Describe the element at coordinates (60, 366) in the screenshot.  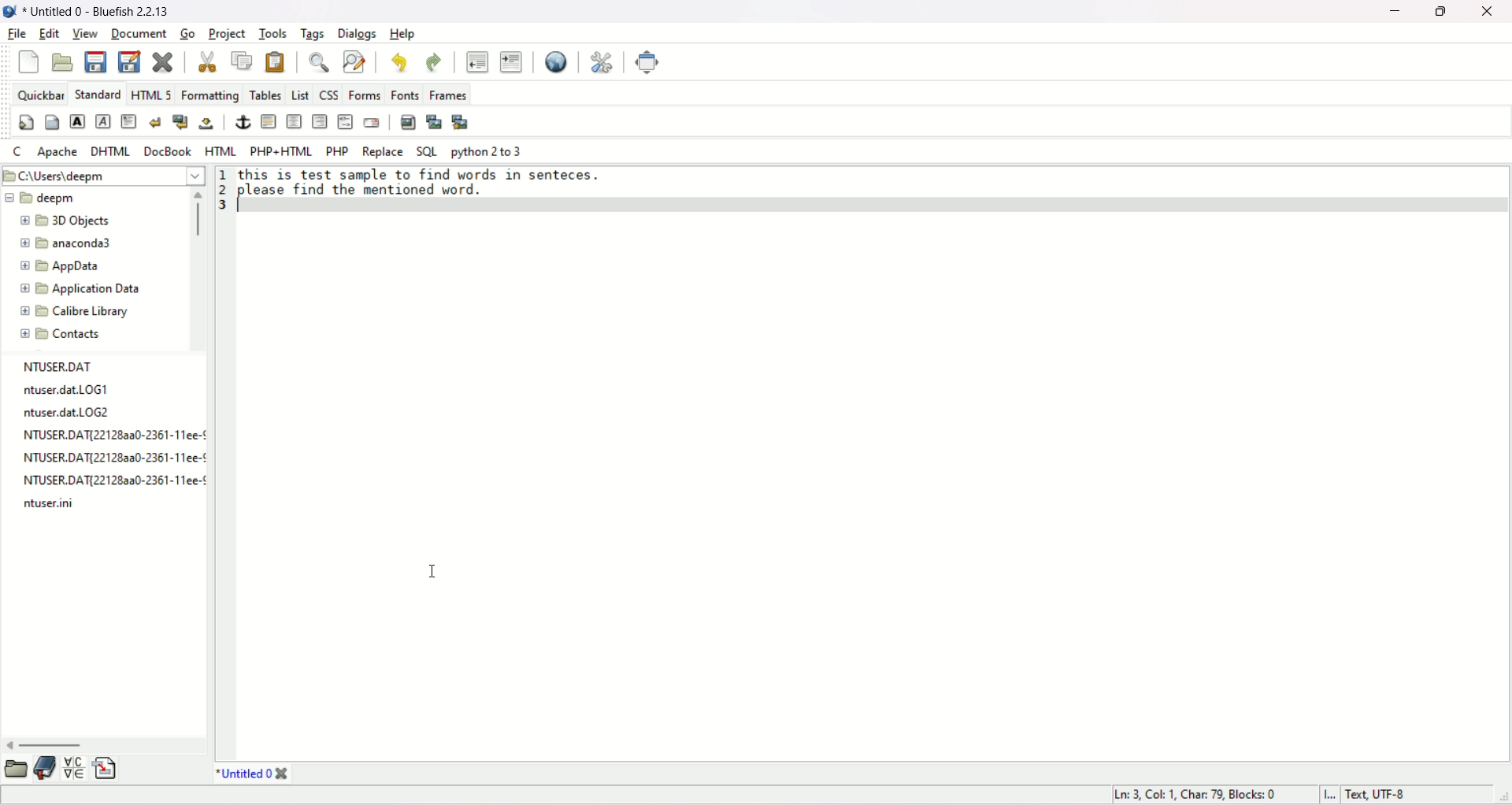
I see `NTUSER.DAT` at that location.